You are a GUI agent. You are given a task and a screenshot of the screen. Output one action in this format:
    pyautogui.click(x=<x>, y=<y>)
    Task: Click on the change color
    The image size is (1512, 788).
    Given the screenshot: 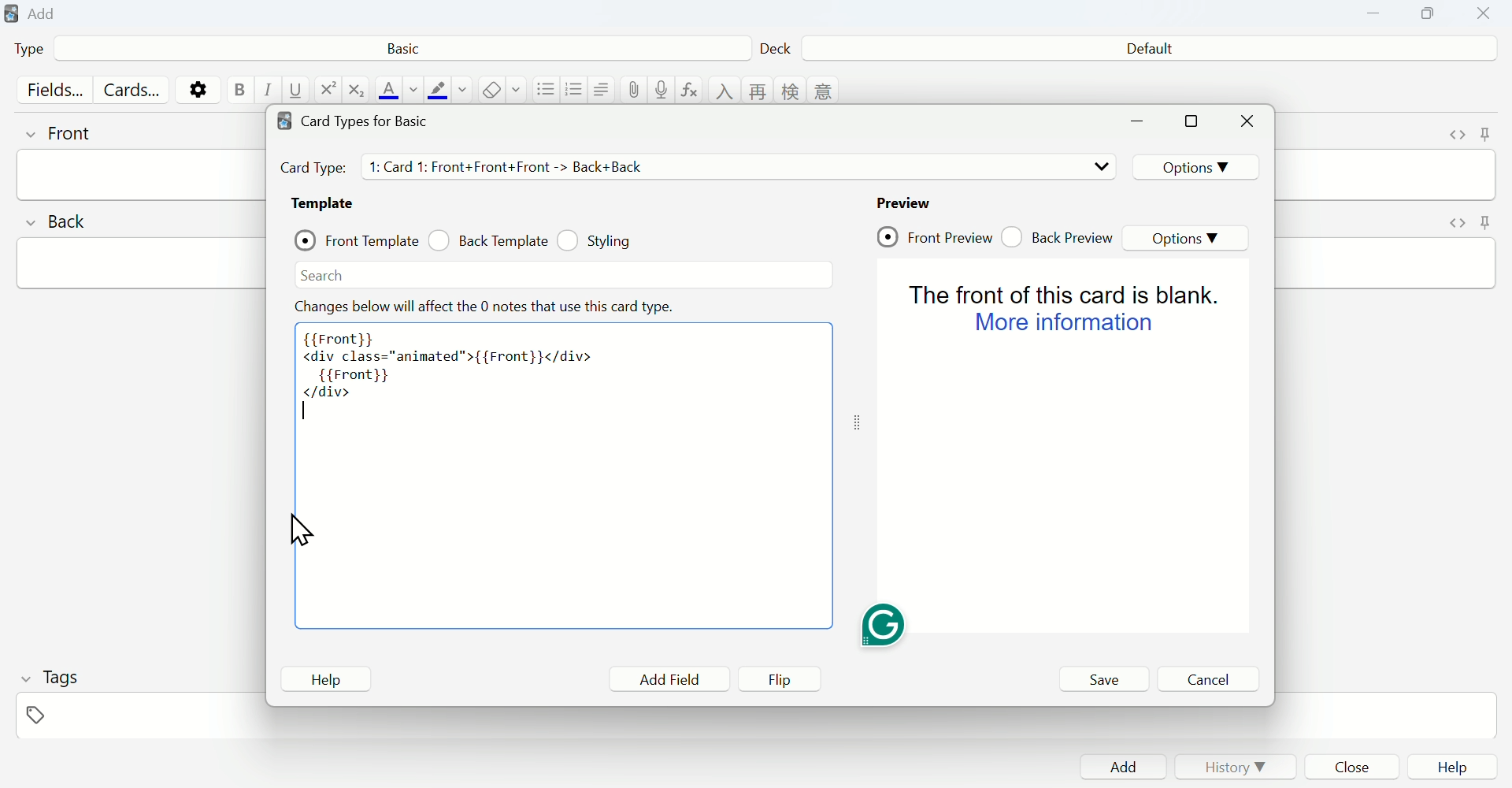 What is the action you would take?
    pyautogui.click(x=462, y=90)
    